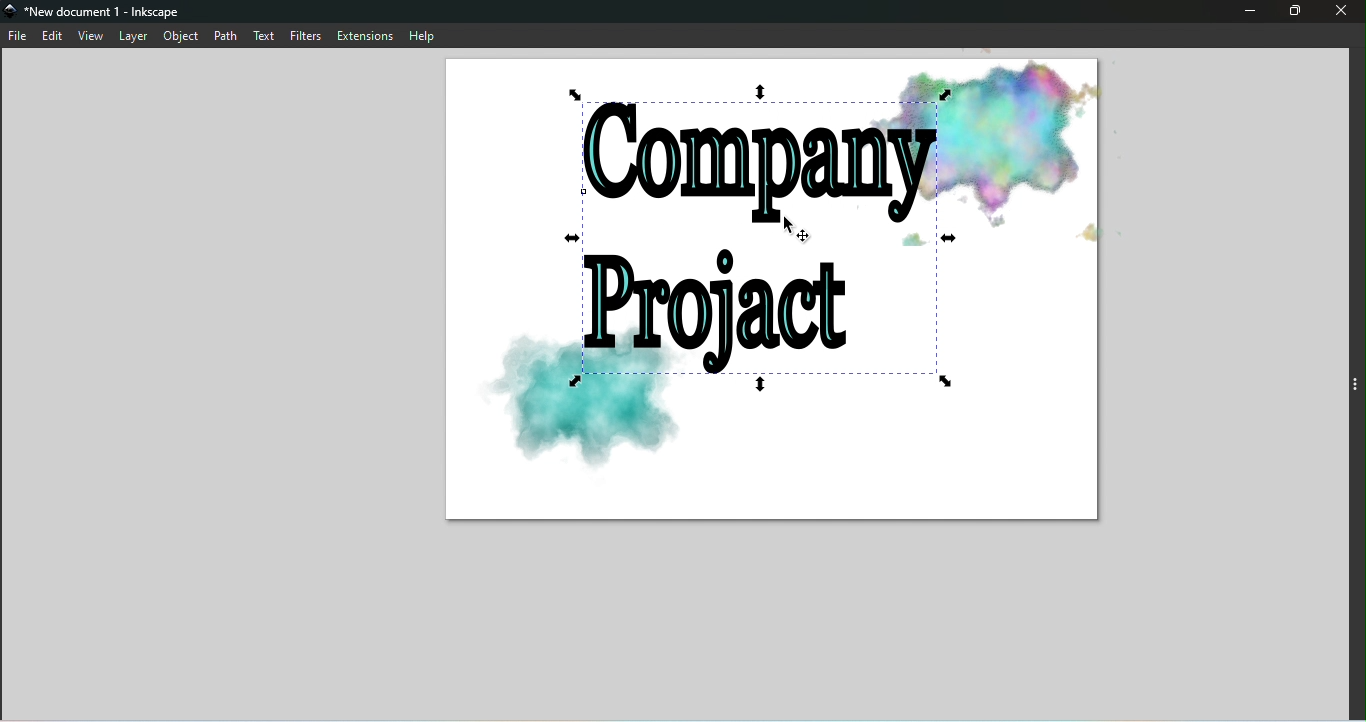 This screenshot has width=1366, height=722. Describe the element at coordinates (799, 231) in the screenshot. I see `cursor` at that location.